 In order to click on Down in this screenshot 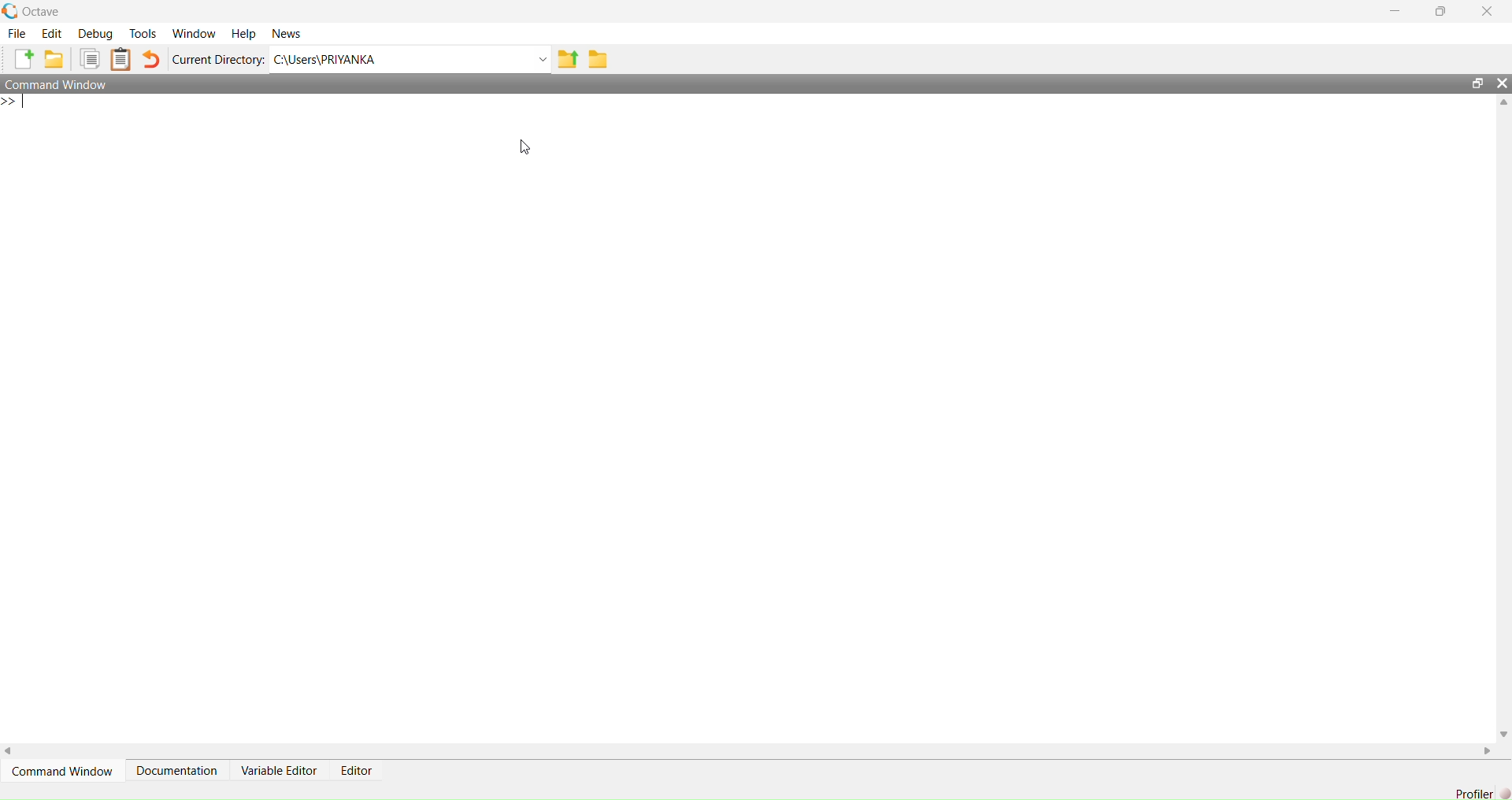, I will do `click(1503, 734)`.